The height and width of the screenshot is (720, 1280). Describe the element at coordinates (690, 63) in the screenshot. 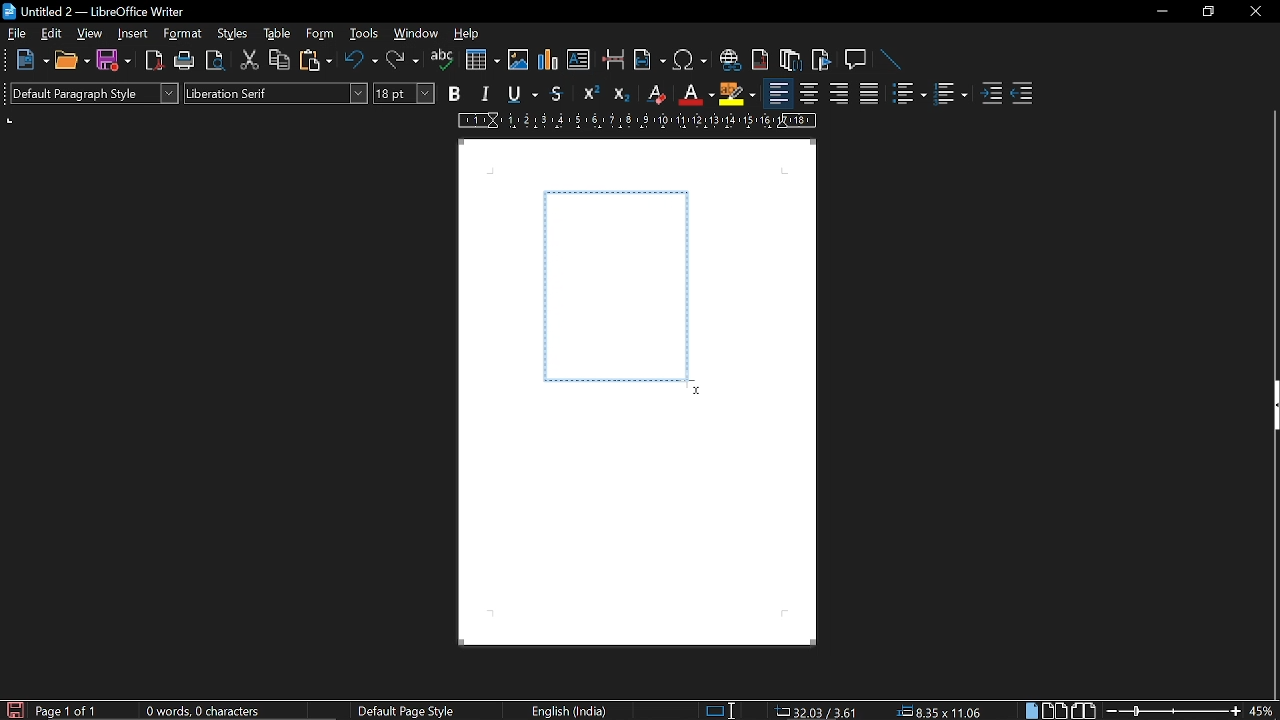

I see `insert symbol` at that location.